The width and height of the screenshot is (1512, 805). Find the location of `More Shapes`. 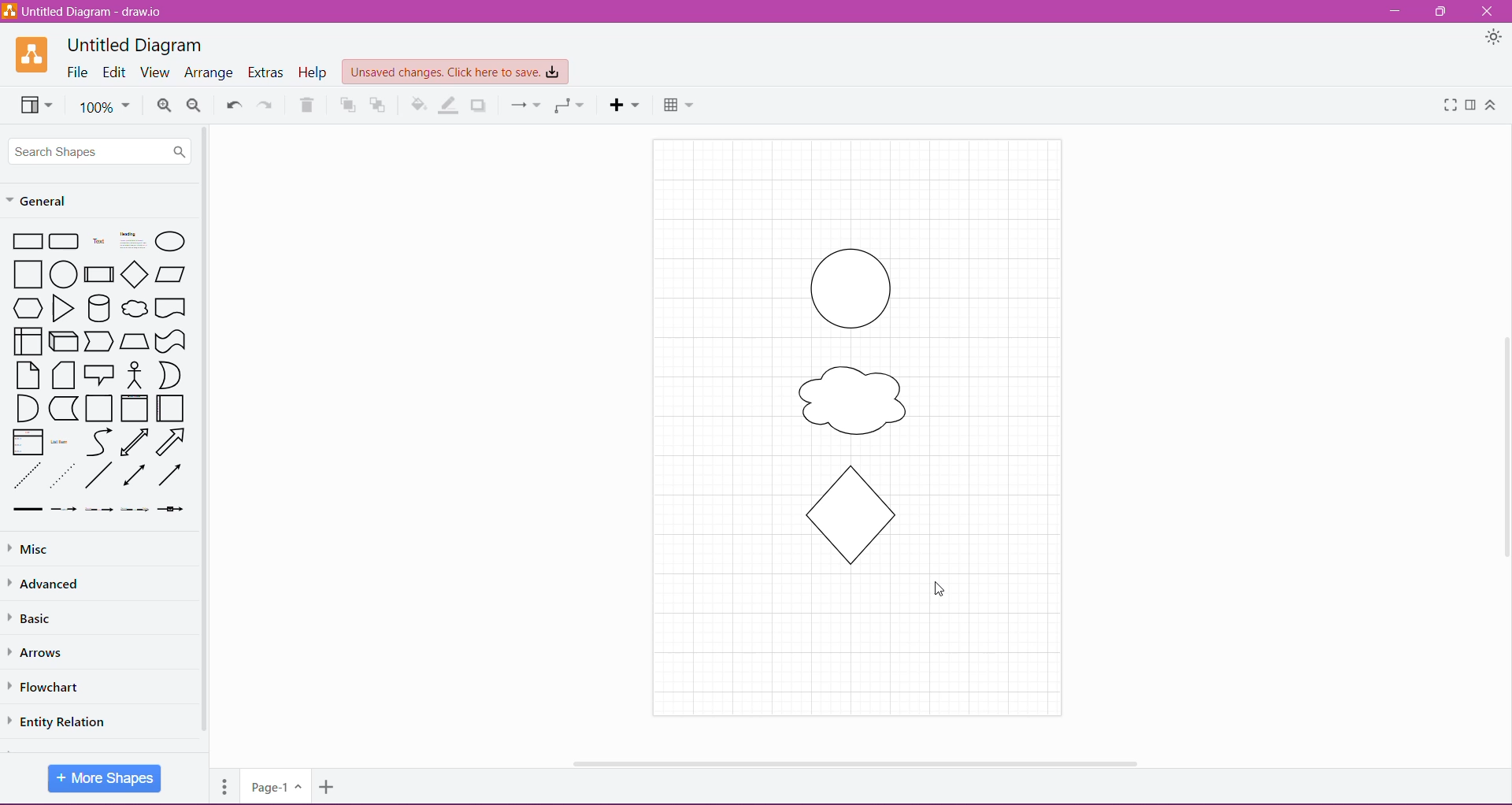

More Shapes is located at coordinates (105, 777).